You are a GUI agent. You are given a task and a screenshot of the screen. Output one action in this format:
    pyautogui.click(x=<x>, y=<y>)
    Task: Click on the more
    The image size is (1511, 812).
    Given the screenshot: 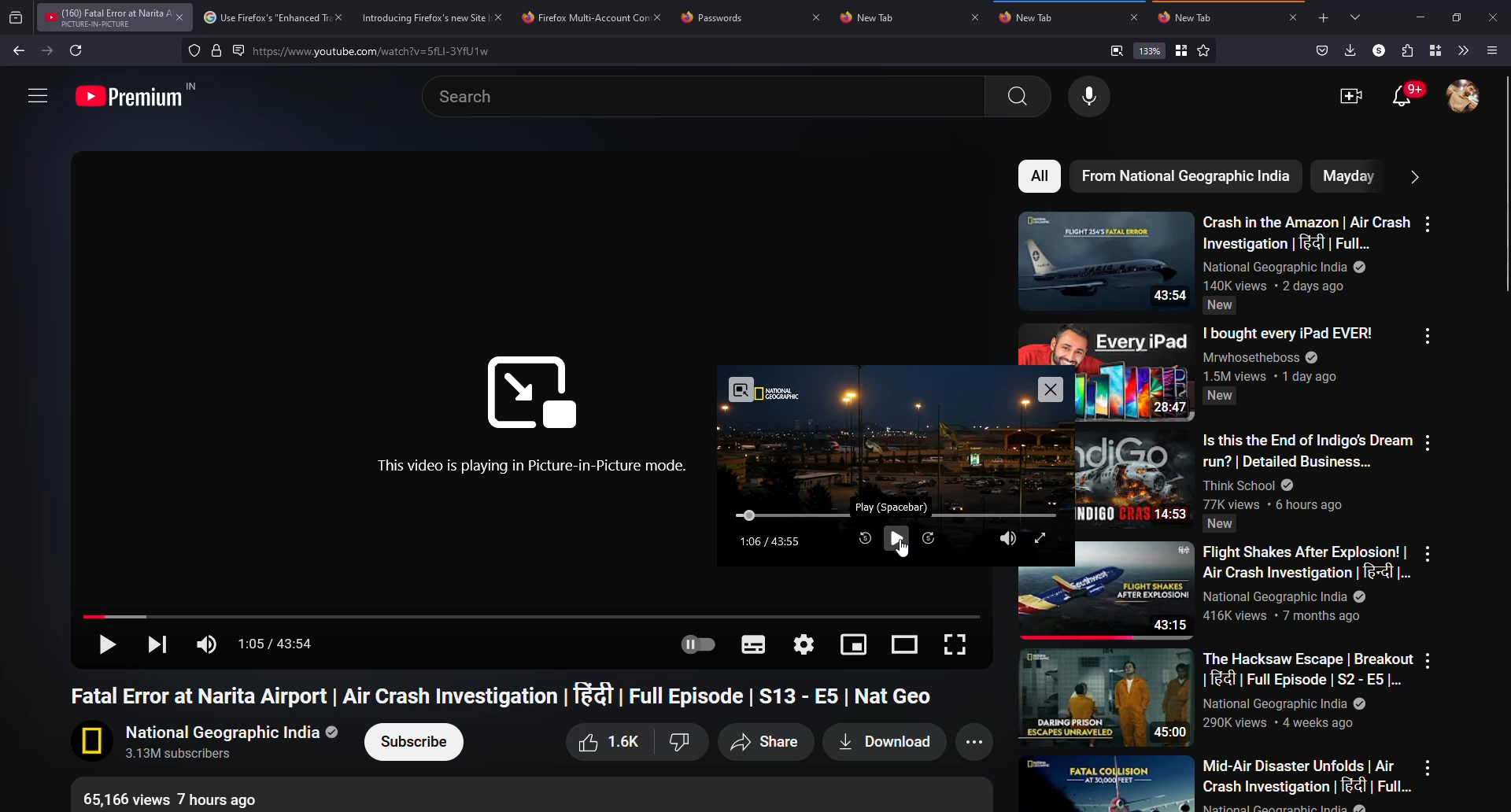 What is the action you would take?
    pyautogui.click(x=1428, y=442)
    